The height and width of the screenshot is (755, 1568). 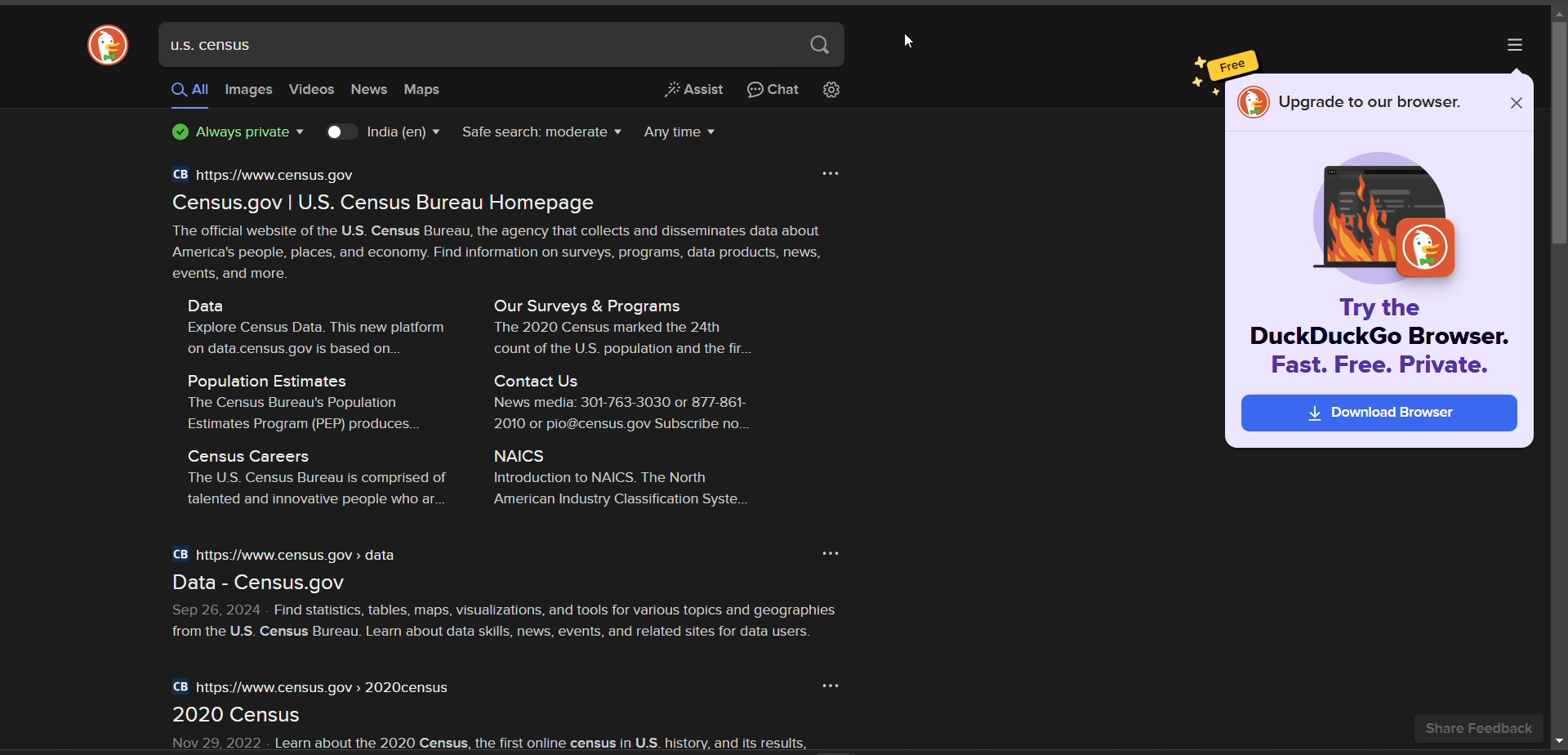 I want to click on census careers, so click(x=248, y=454).